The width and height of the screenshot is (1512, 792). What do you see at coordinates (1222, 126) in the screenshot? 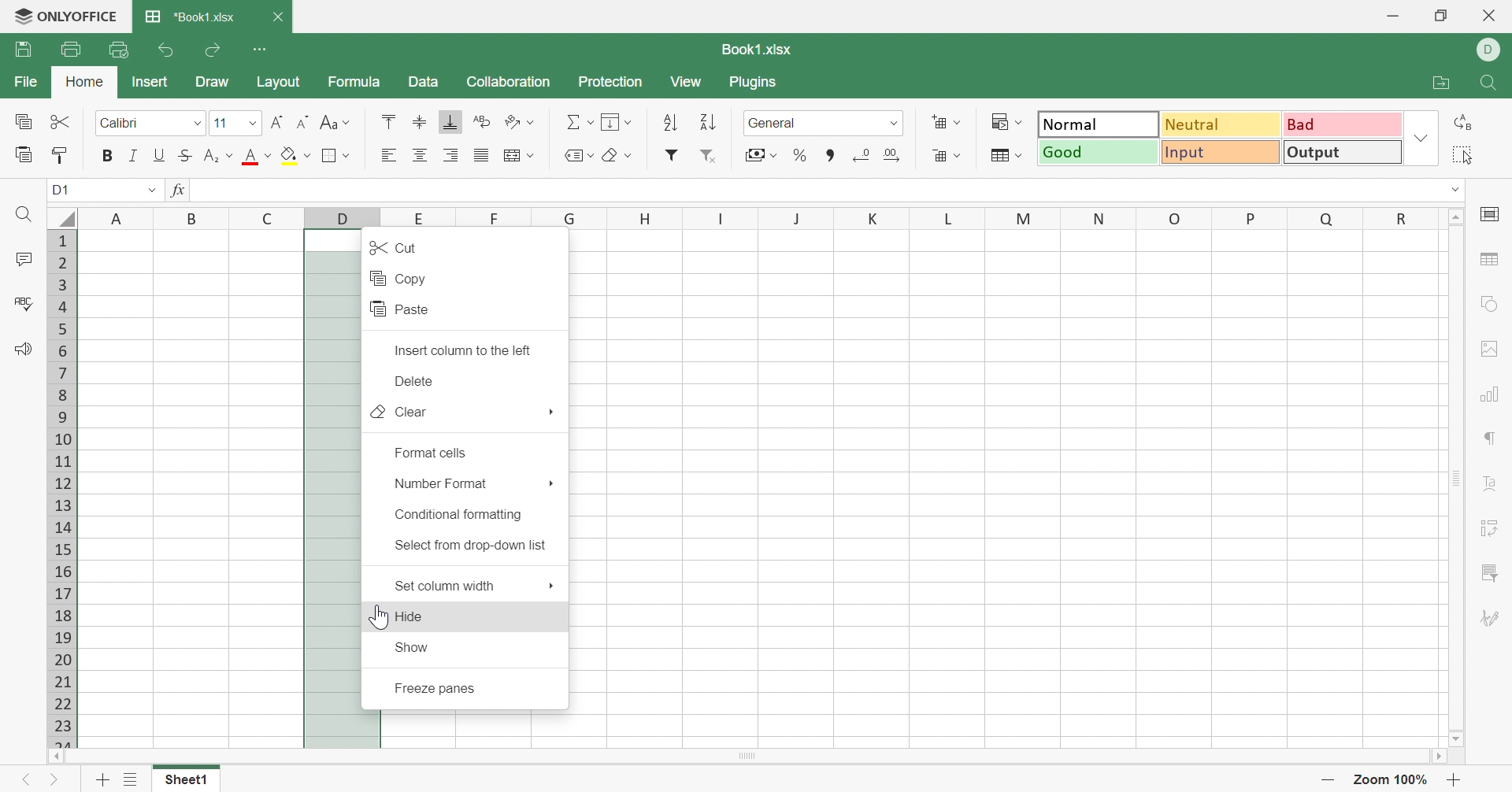
I see `Neutral` at bounding box center [1222, 126].